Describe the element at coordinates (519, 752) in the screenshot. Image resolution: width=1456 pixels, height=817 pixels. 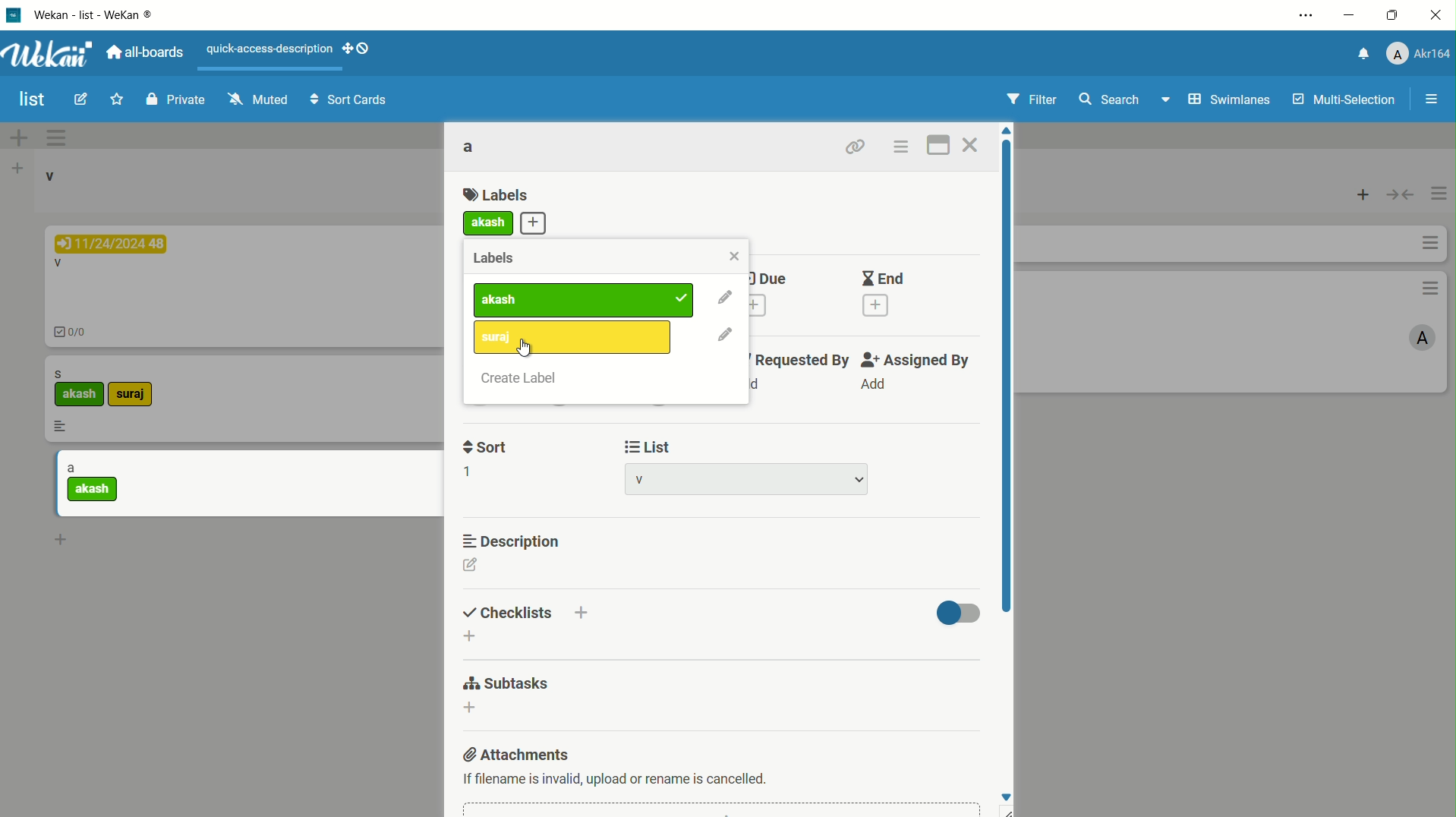
I see `attachments` at that location.